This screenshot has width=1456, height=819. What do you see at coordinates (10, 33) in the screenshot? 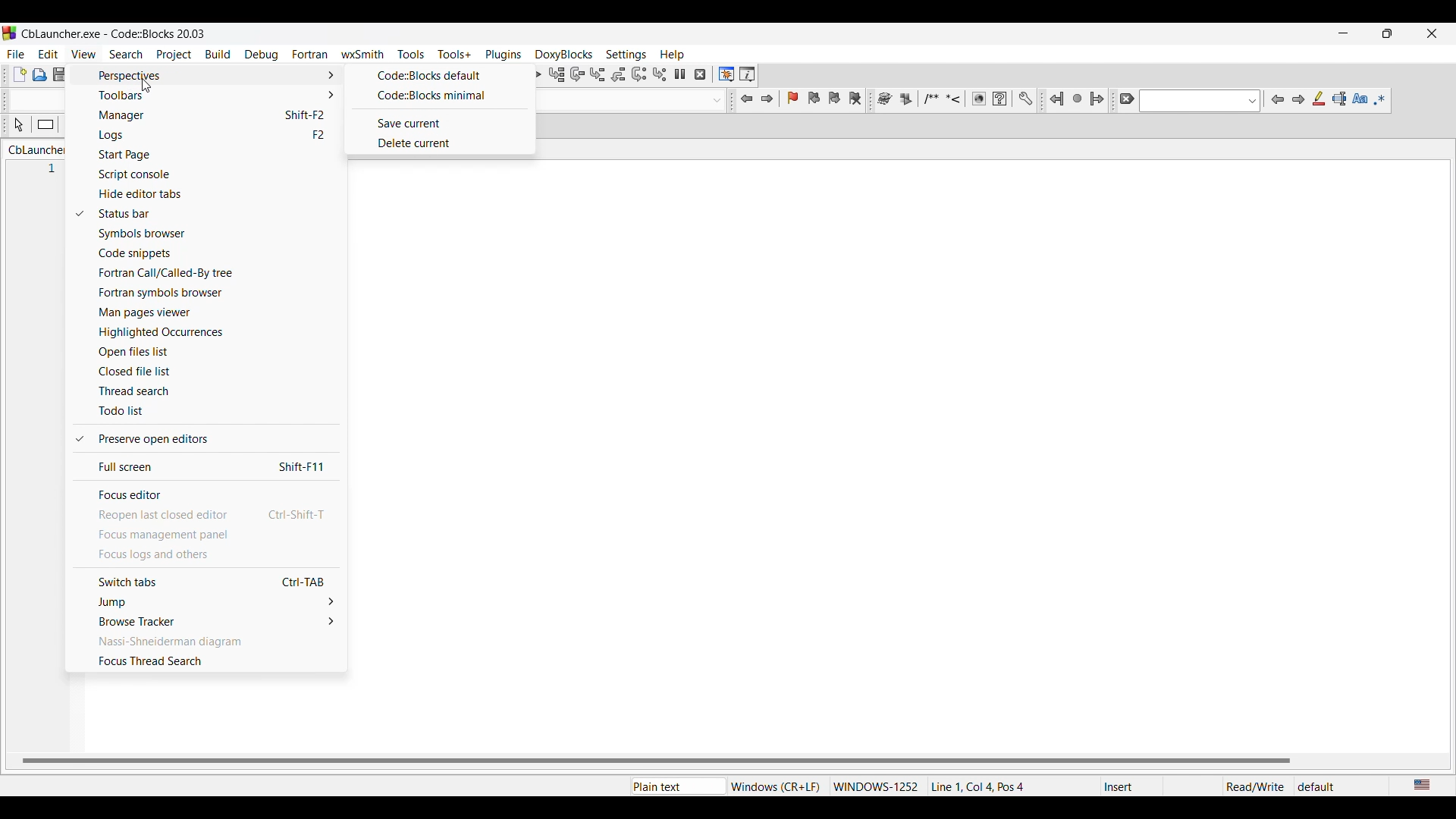
I see `Software logo` at bounding box center [10, 33].